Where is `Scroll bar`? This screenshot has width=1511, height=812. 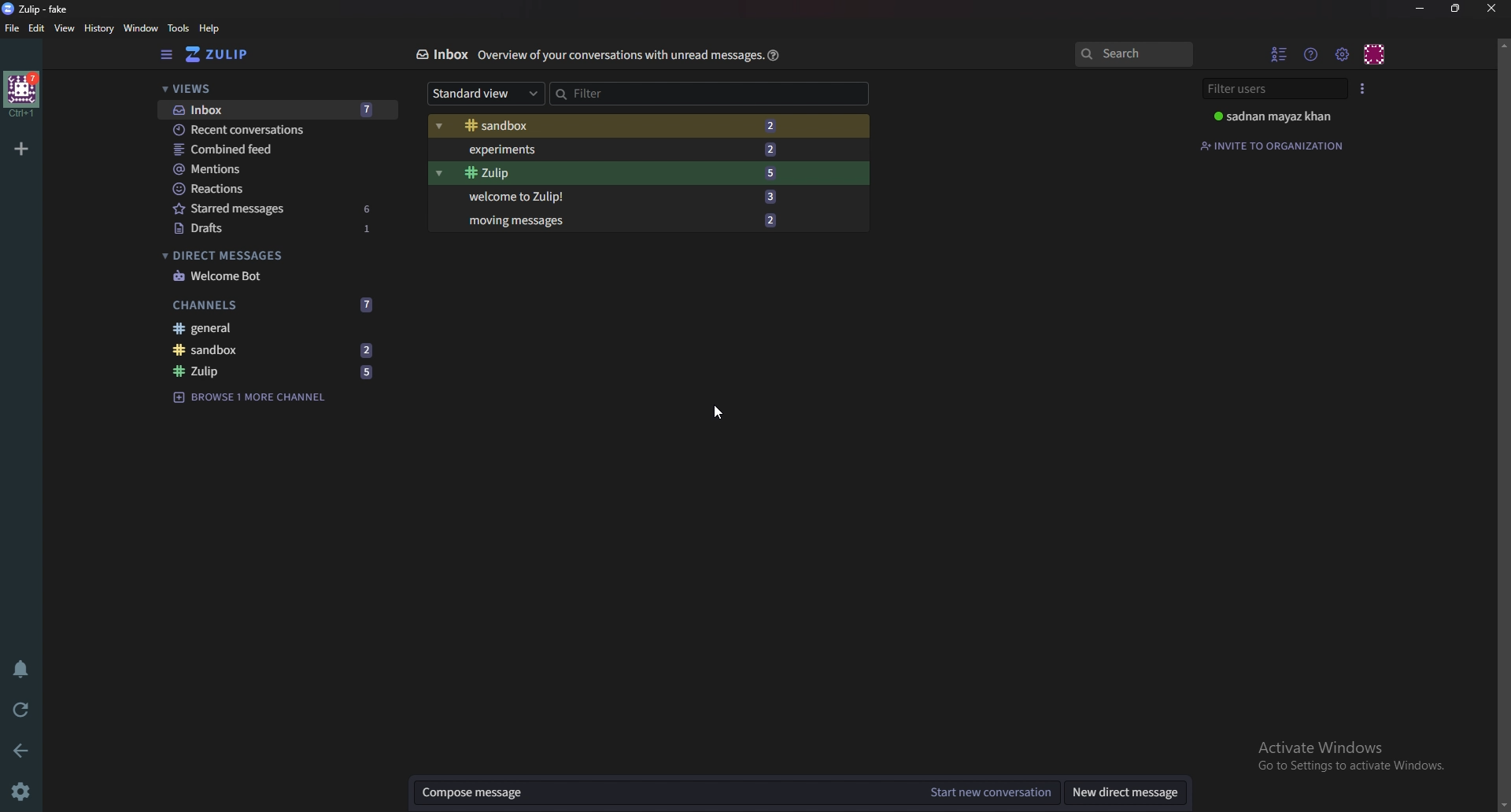 Scroll bar is located at coordinates (1503, 422).